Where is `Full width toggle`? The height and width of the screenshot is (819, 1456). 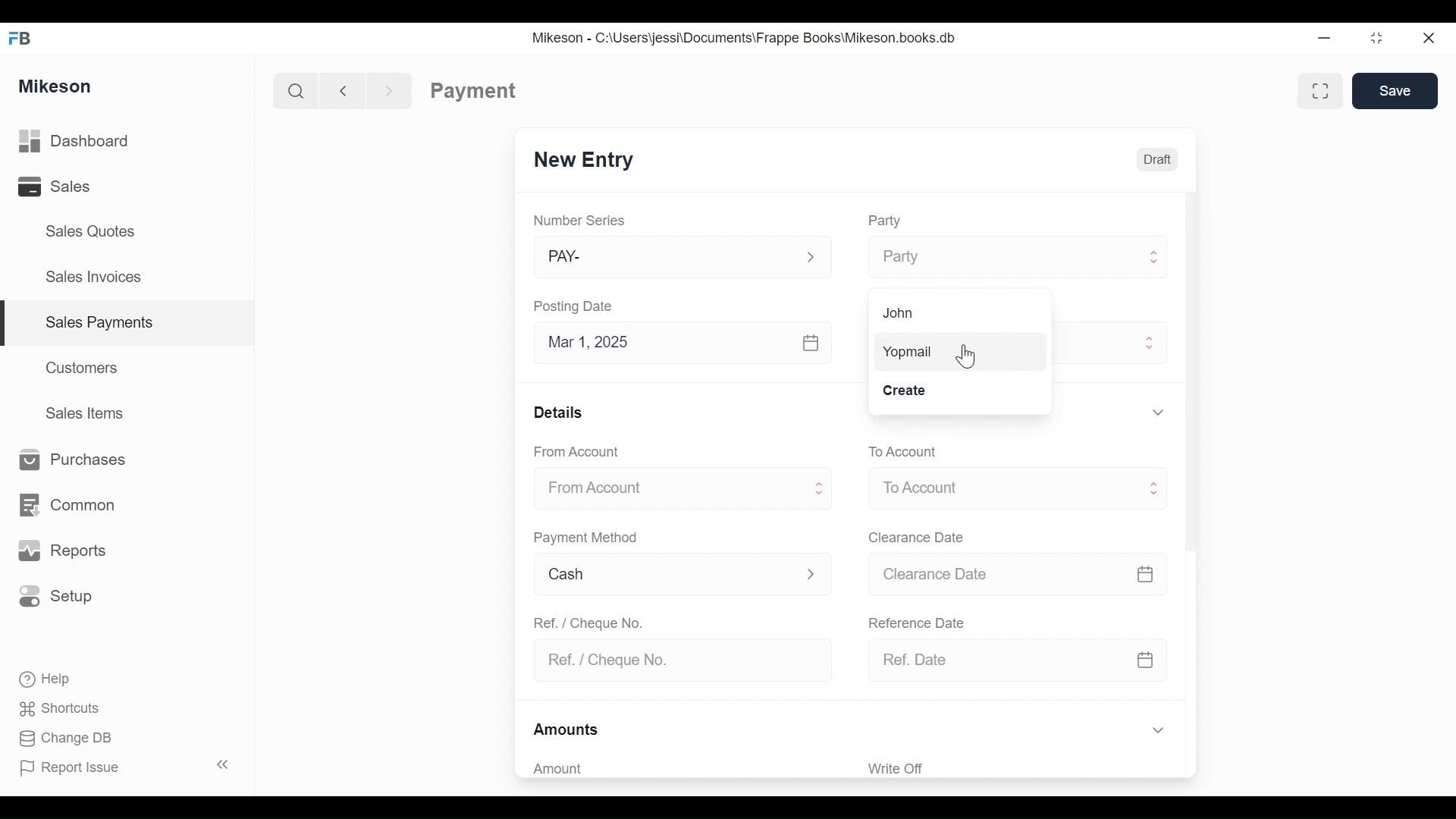 Full width toggle is located at coordinates (1318, 92).